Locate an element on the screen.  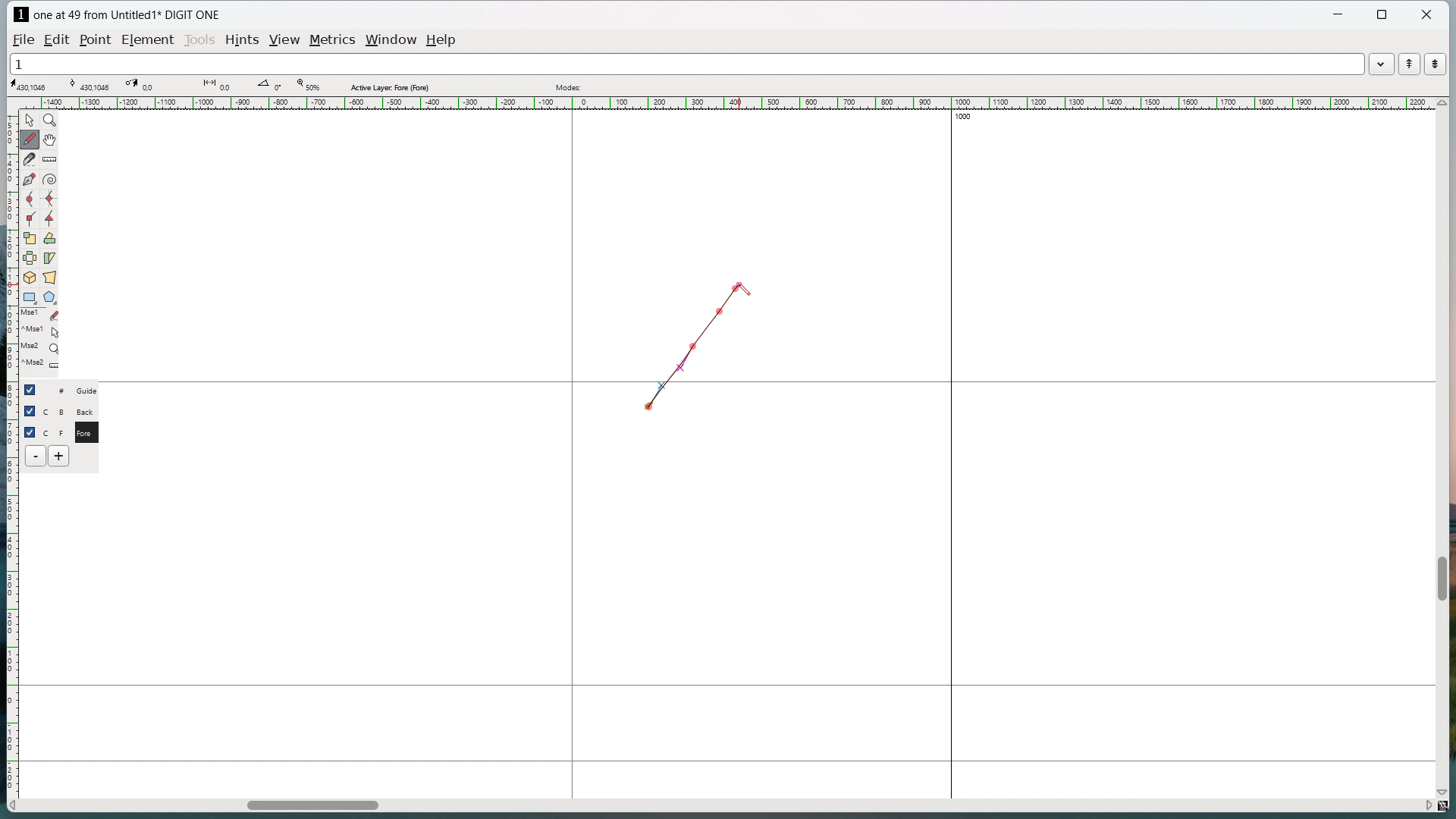
pointer is located at coordinates (30, 120).